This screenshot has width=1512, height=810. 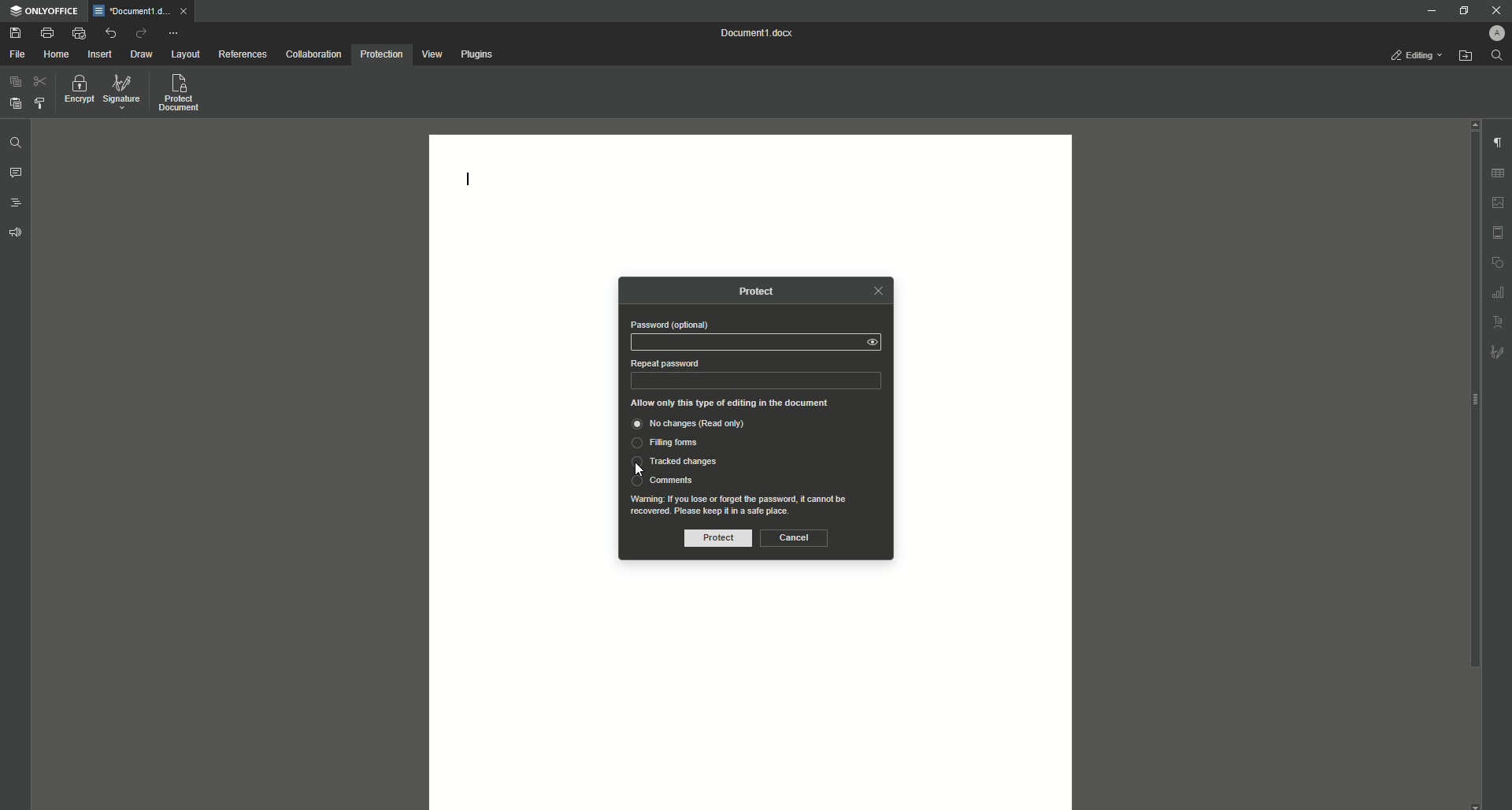 What do you see at coordinates (183, 92) in the screenshot?
I see `Protect Document` at bounding box center [183, 92].